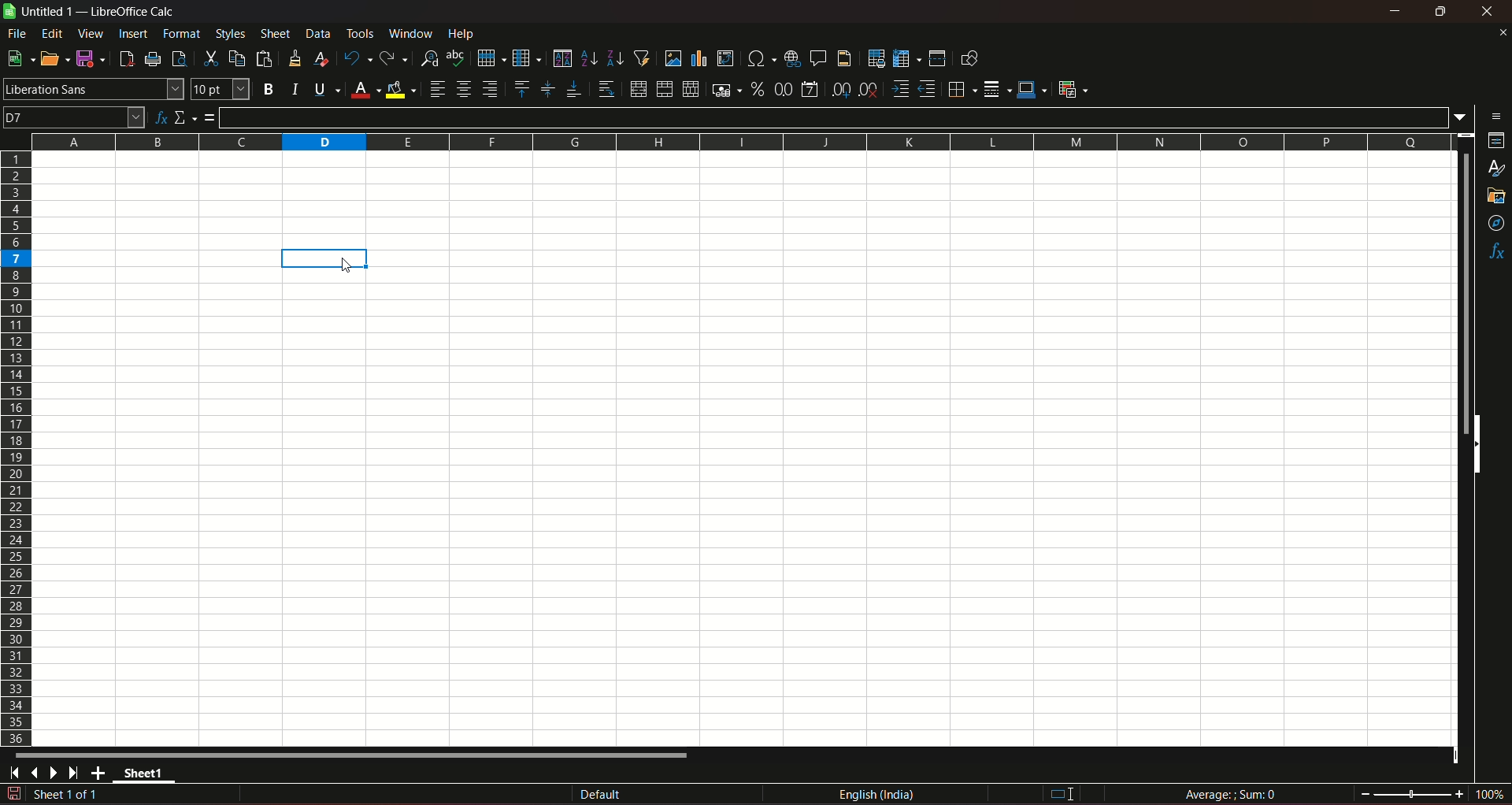  I want to click on sidebar settings, so click(1497, 115).